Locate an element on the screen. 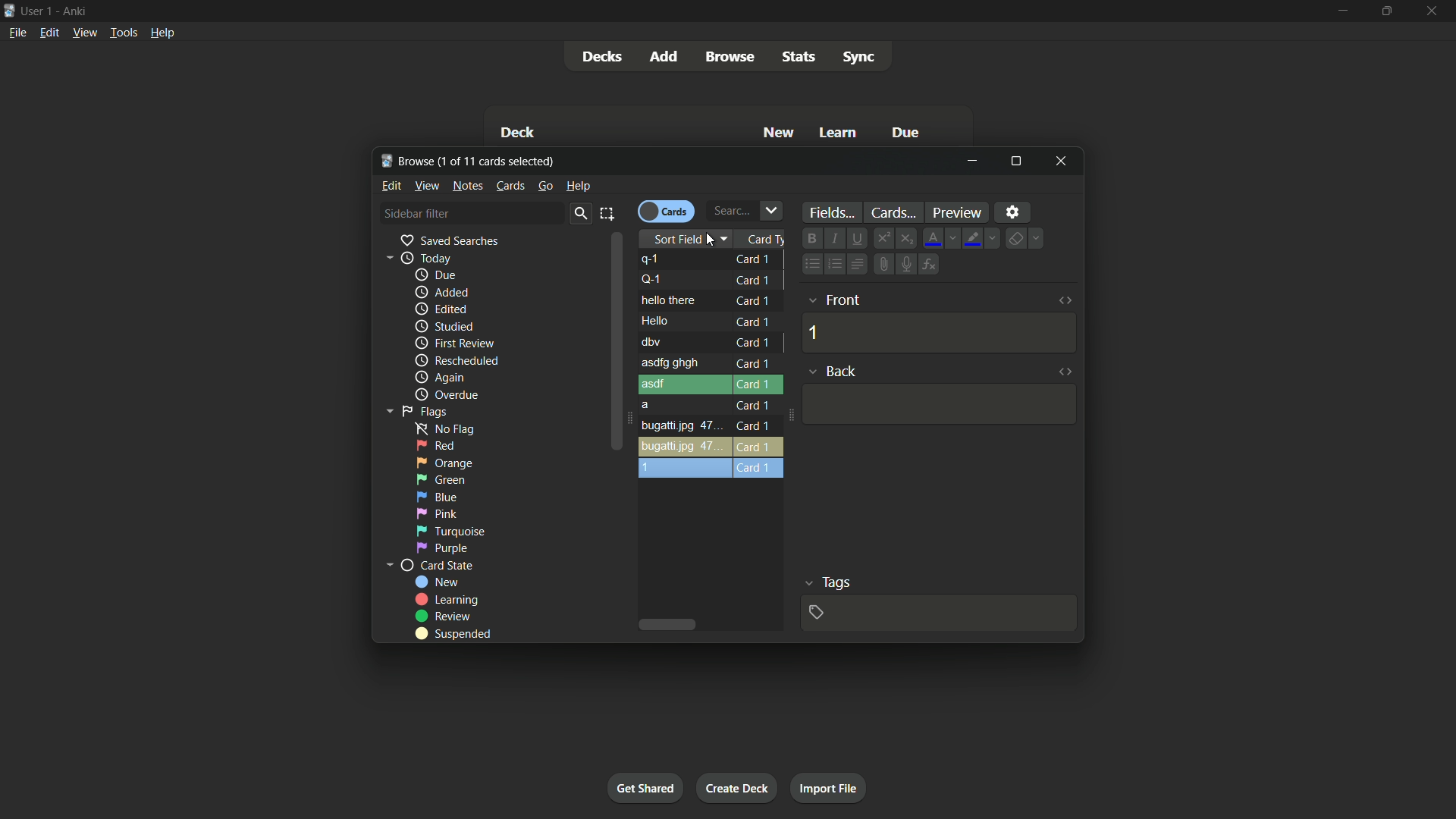 The height and width of the screenshot is (819, 1456). flags is located at coordinates (424, 413).